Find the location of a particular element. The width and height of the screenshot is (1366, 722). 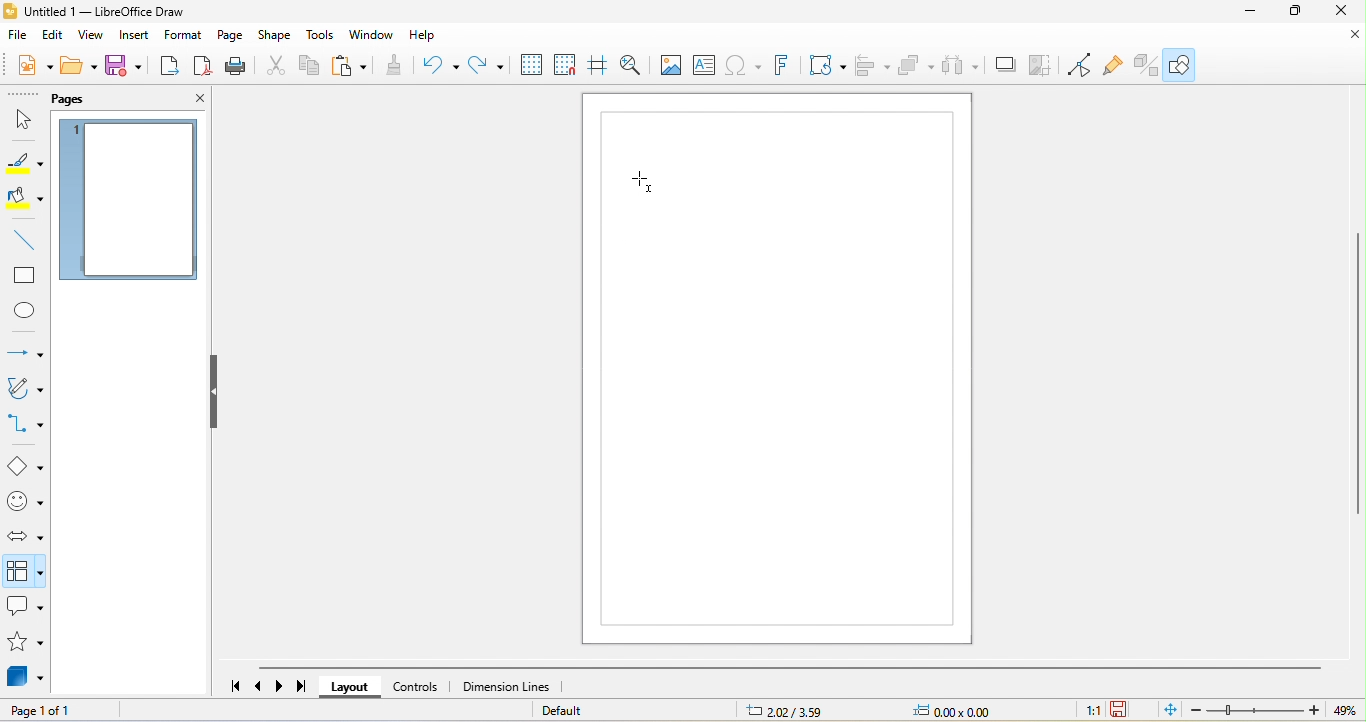

symbol shape is located at coordinates (25, 504).